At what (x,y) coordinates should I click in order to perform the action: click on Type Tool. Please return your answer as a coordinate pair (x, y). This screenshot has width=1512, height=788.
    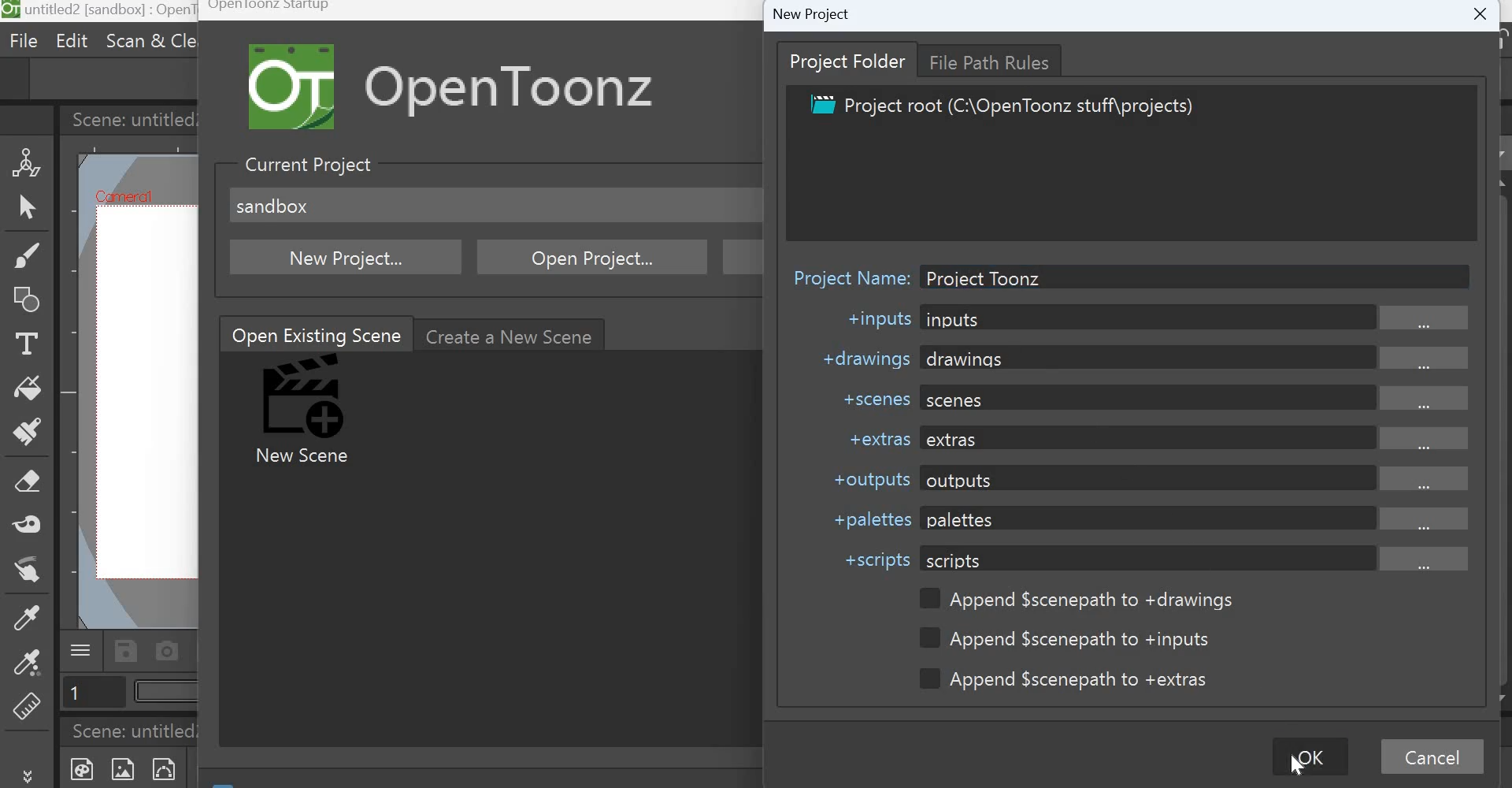
    Looking at the image, I should click on (24, 346).